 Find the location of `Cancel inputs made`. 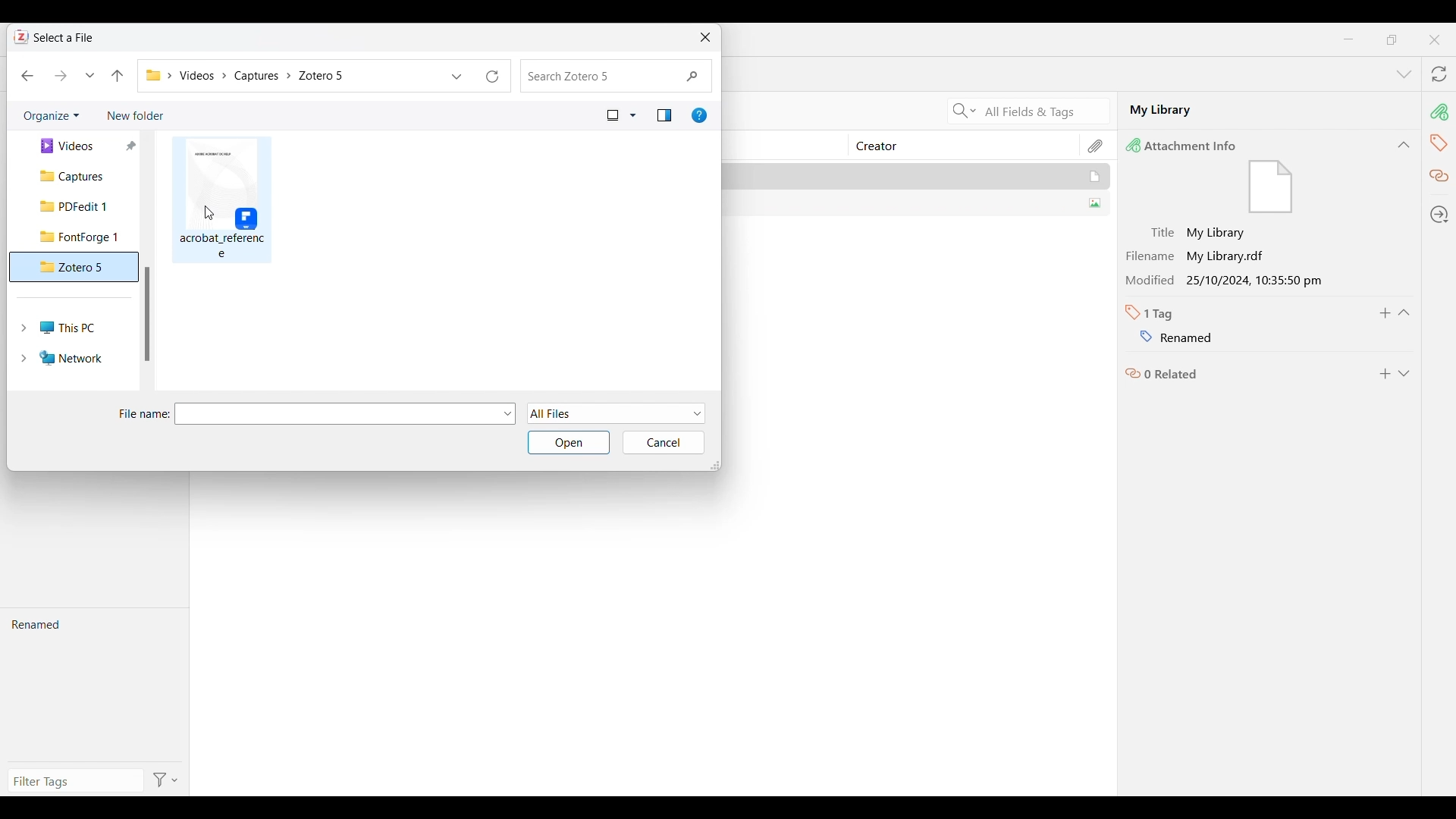

Cancel inputs made is located at coordinates (664, 443).